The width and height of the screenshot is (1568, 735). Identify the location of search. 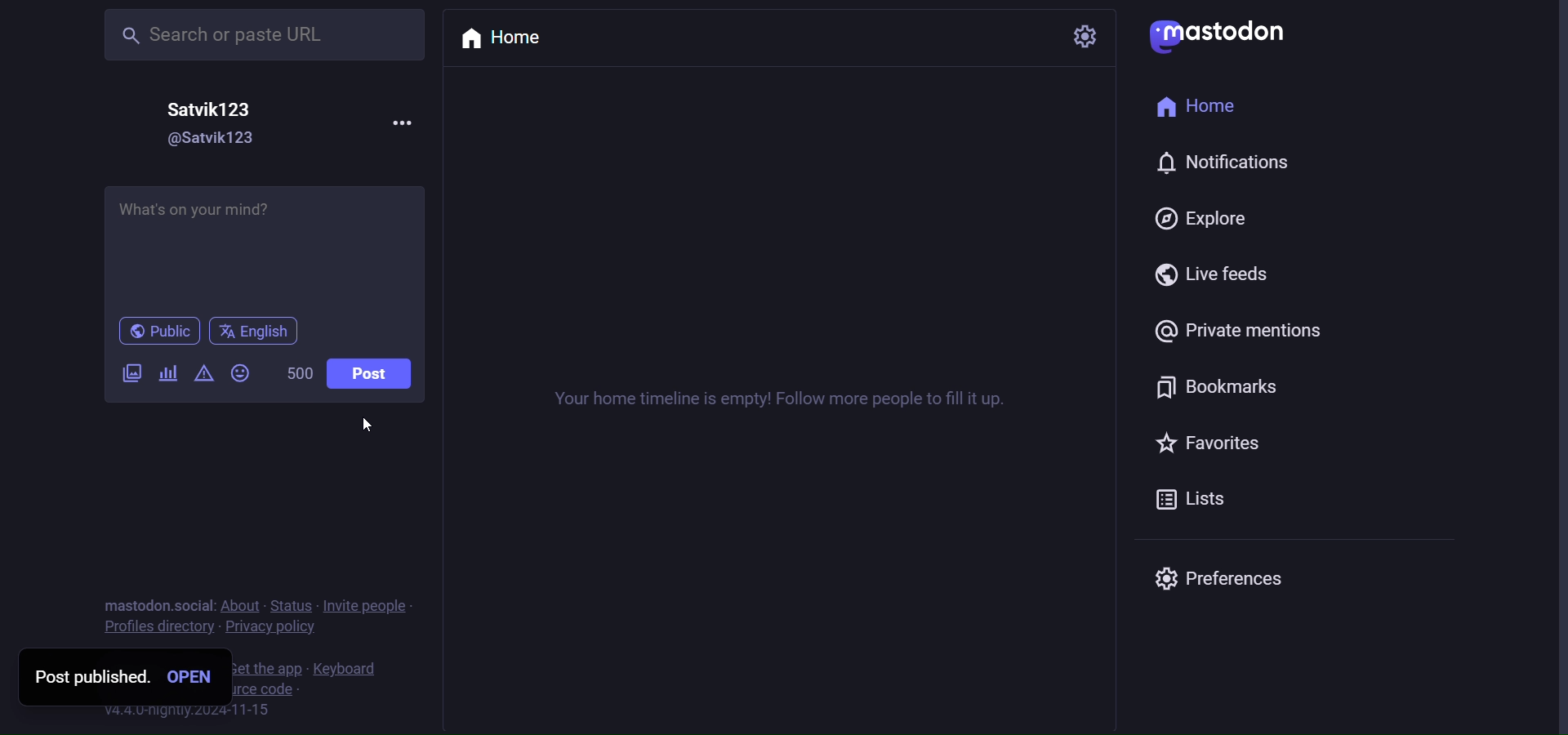
(244, 34).